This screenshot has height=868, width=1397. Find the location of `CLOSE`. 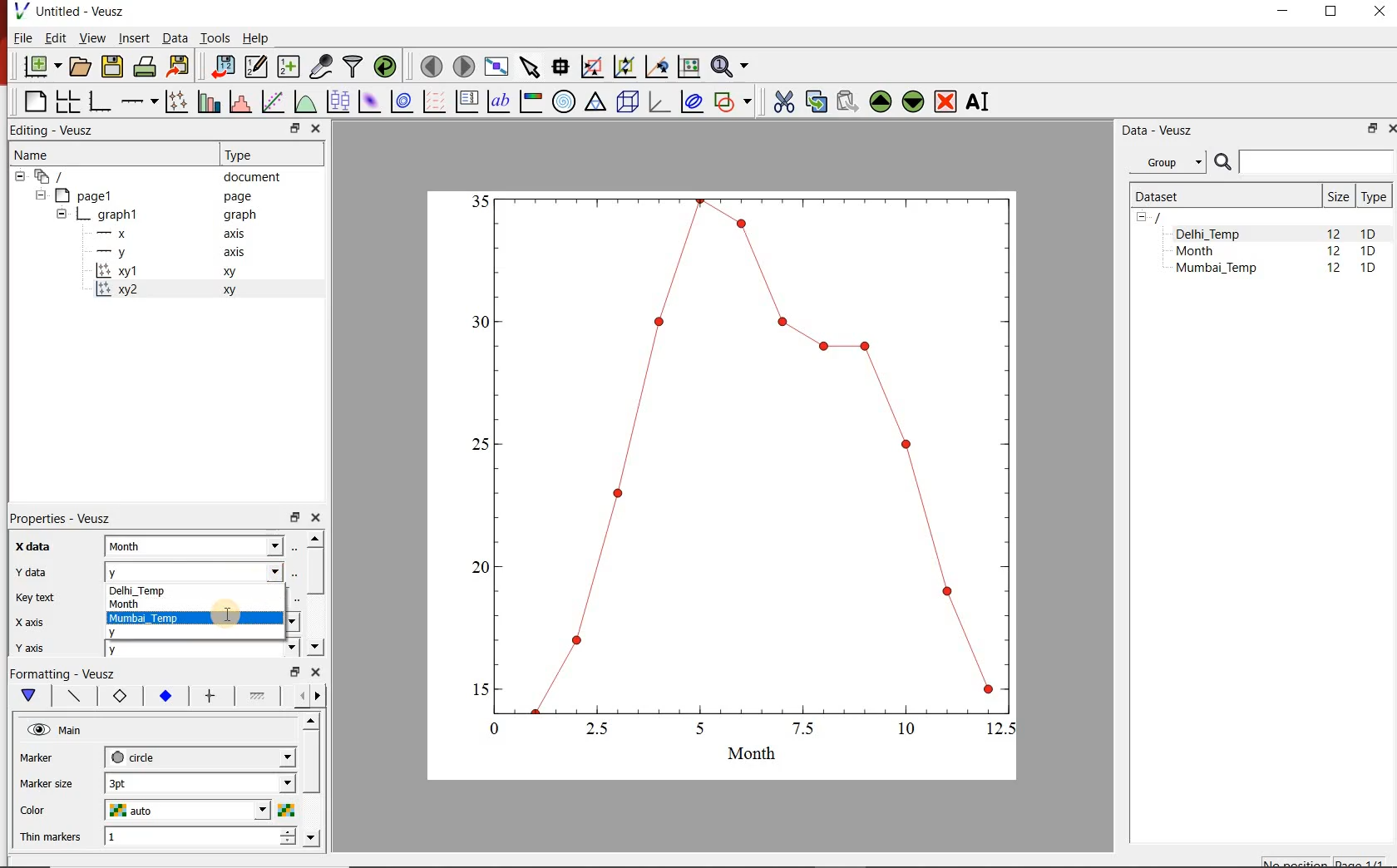

CLOSE is located at coordinates (1390, 129).